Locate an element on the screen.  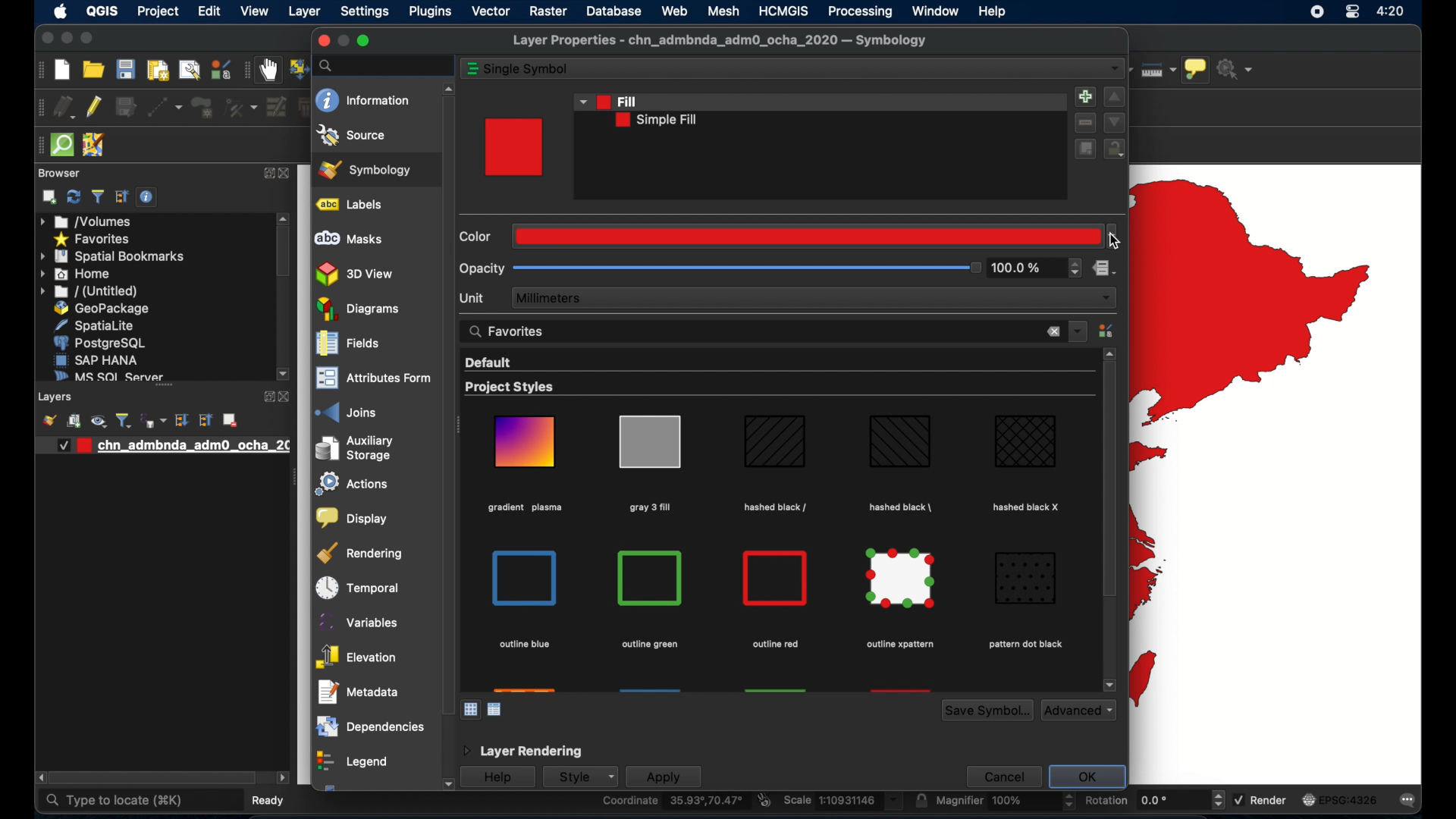
HCMGIS is located at coordinates (783, 11).